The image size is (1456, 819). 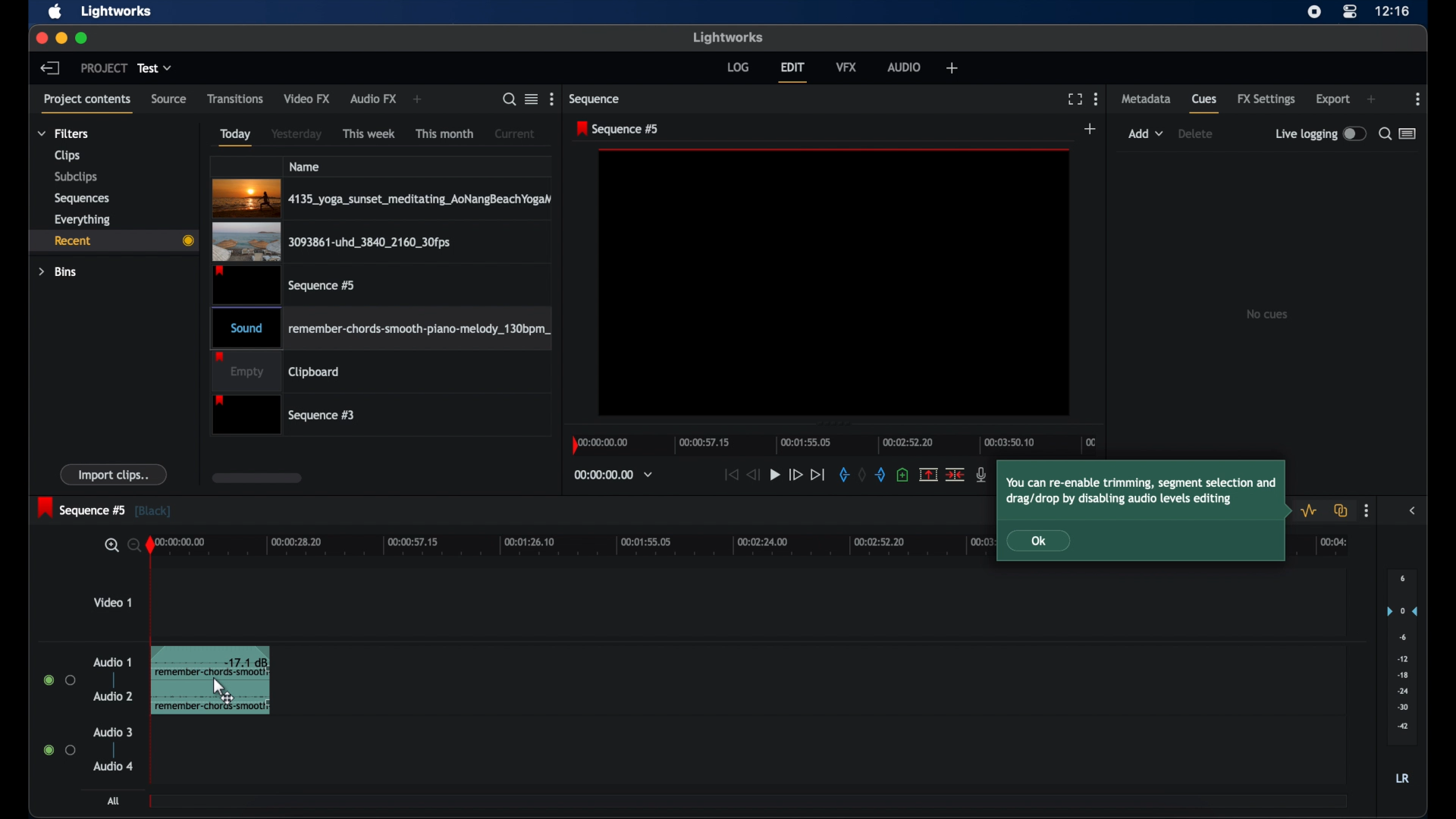 I want to click on no cues, so click(x=1266, y=314).